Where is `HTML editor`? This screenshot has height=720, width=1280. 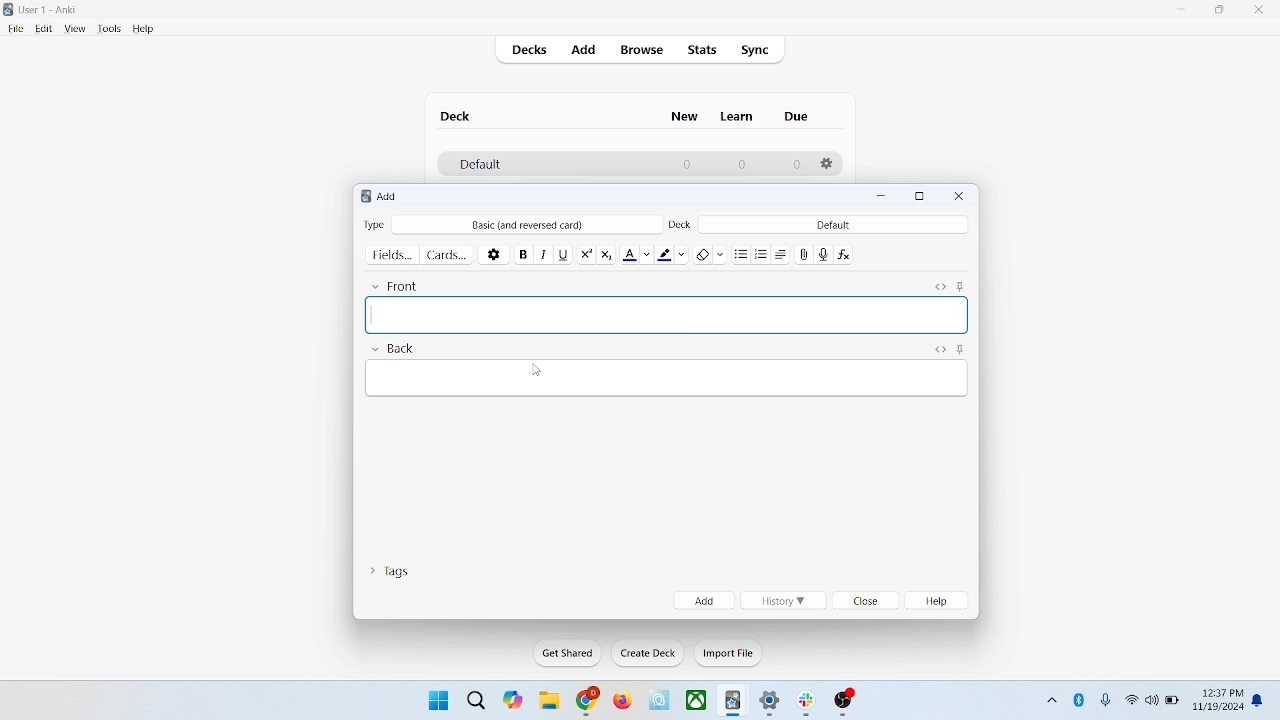 HTML editor is located at coordinates (939, 284).